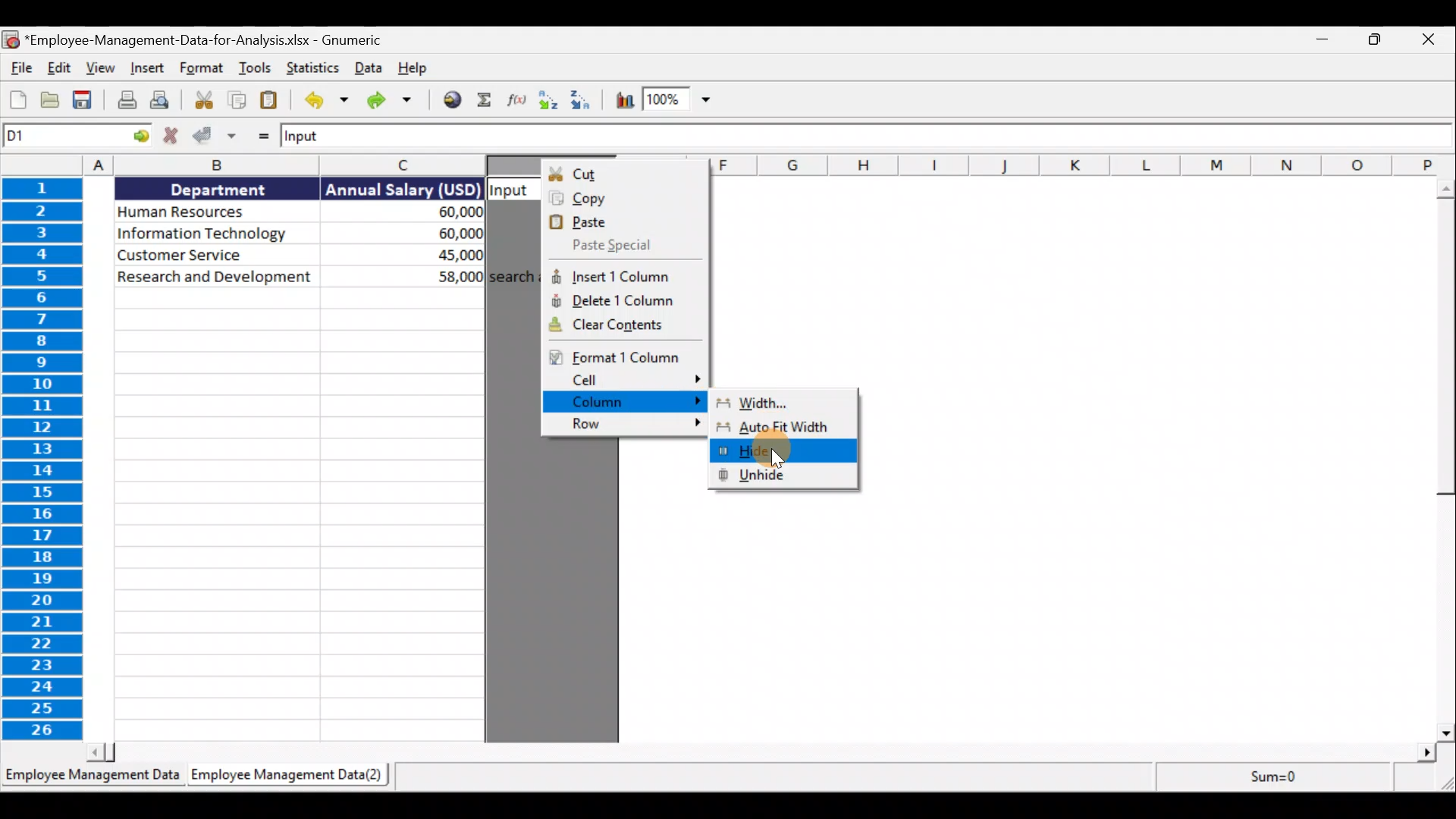  What do you see at coordinates (677, 99) in the screenshot?
I see `Zoom` at bounding box center [677, 99].